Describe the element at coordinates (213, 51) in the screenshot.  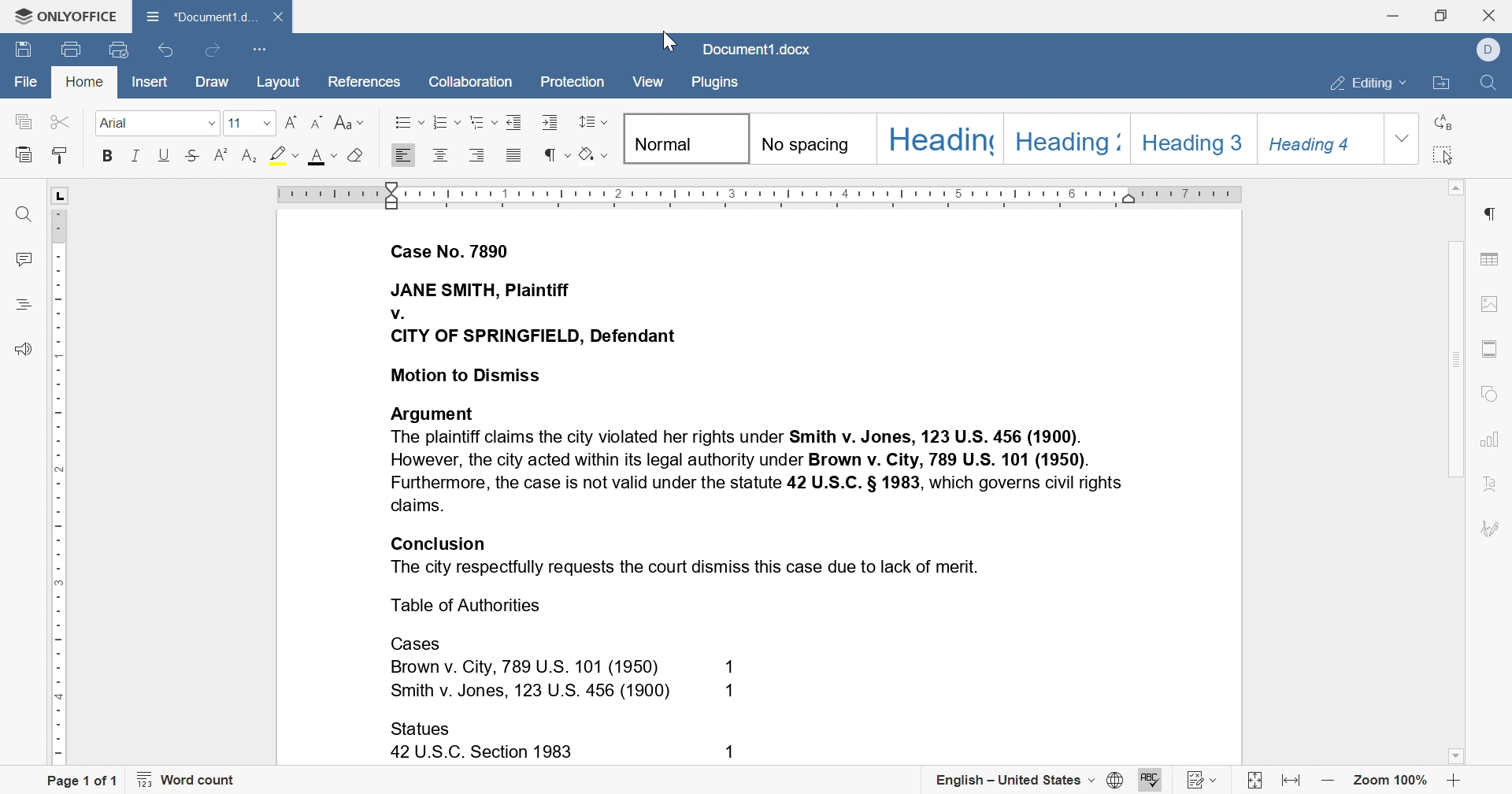
I see `redo` at that location.